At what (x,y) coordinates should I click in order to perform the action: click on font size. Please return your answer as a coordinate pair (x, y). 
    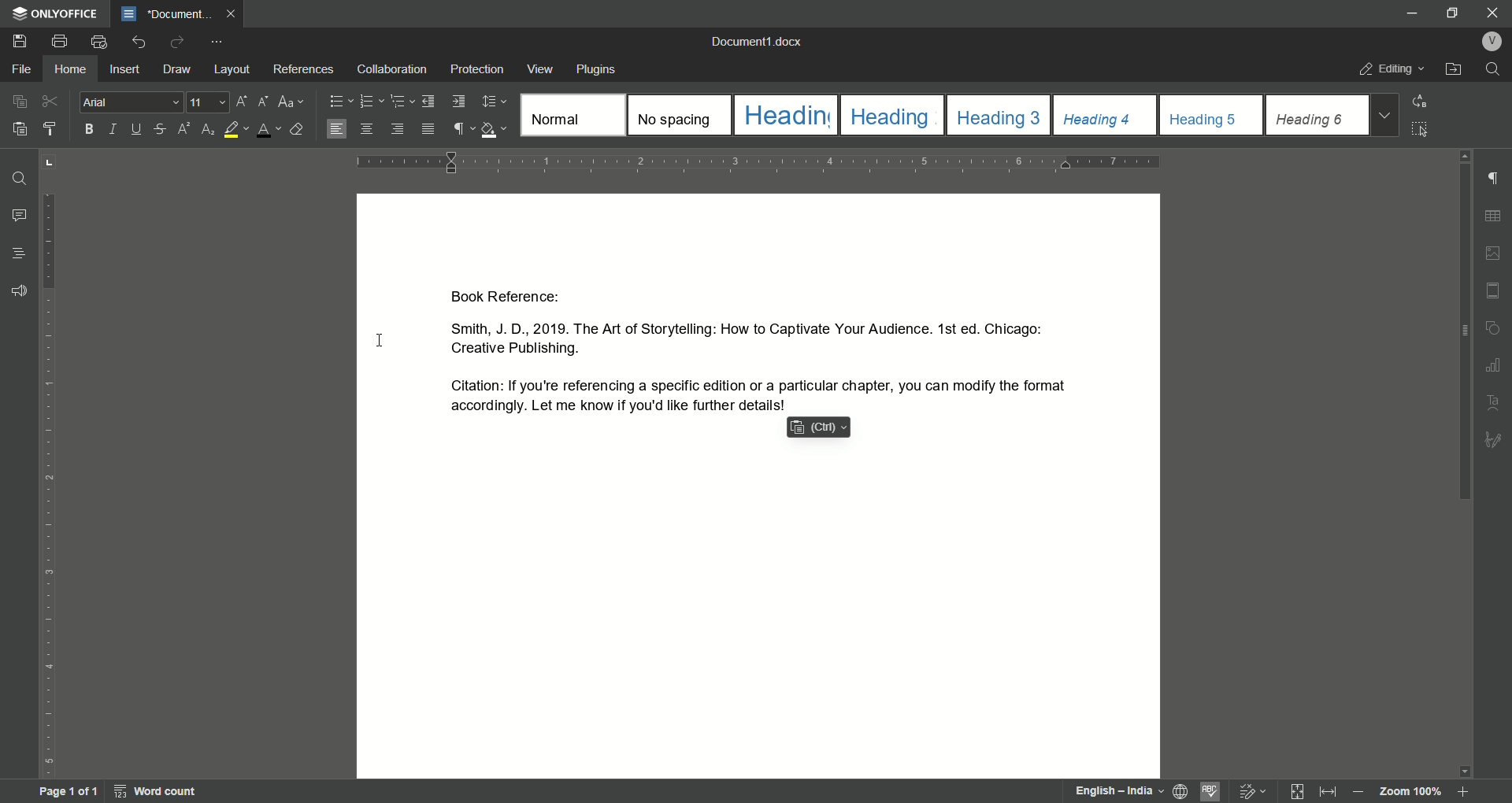
    Looking at the image, I should click on (210, 102).